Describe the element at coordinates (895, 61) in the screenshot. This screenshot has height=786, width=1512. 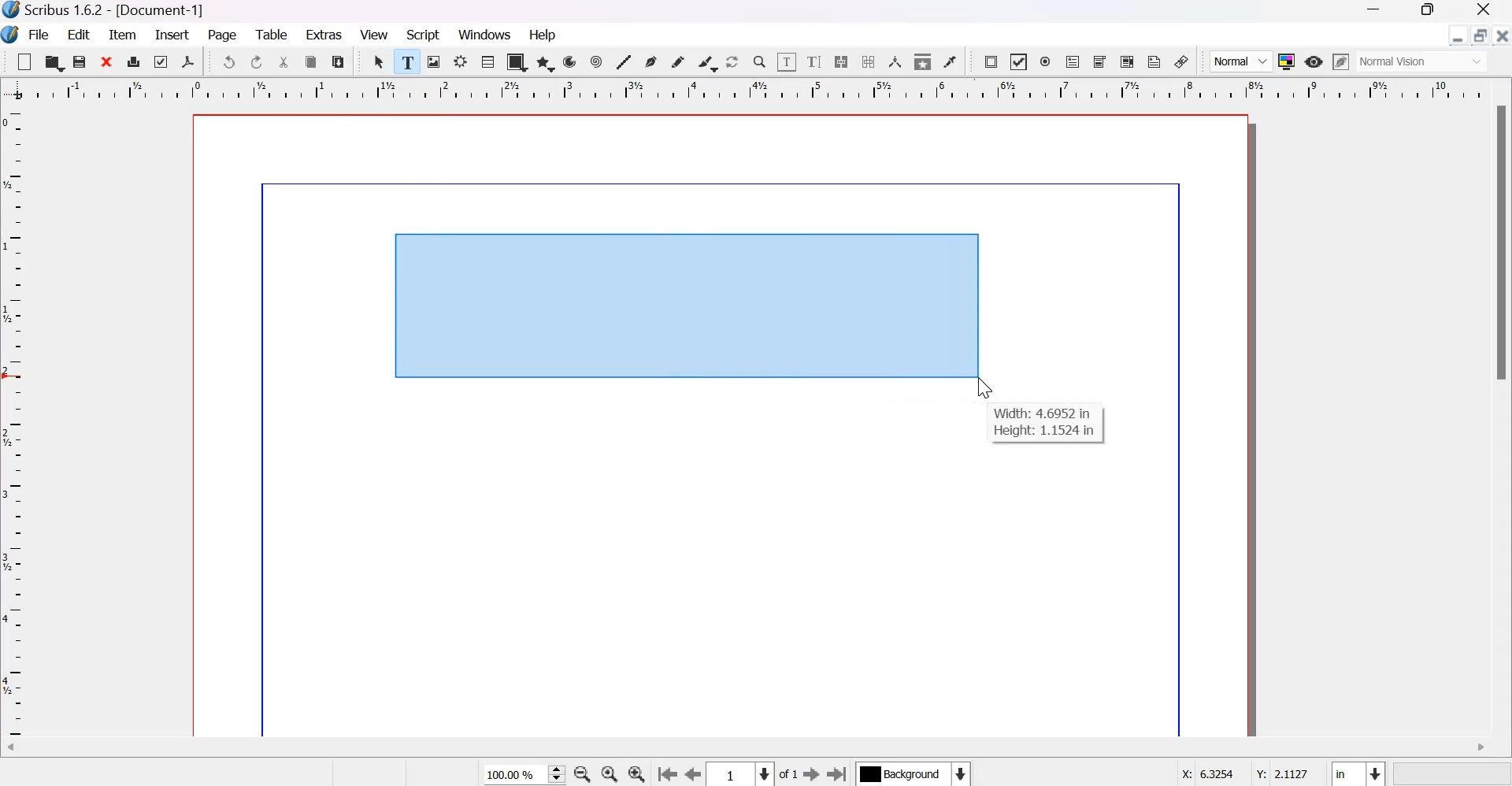
I see `measurements` at that location.